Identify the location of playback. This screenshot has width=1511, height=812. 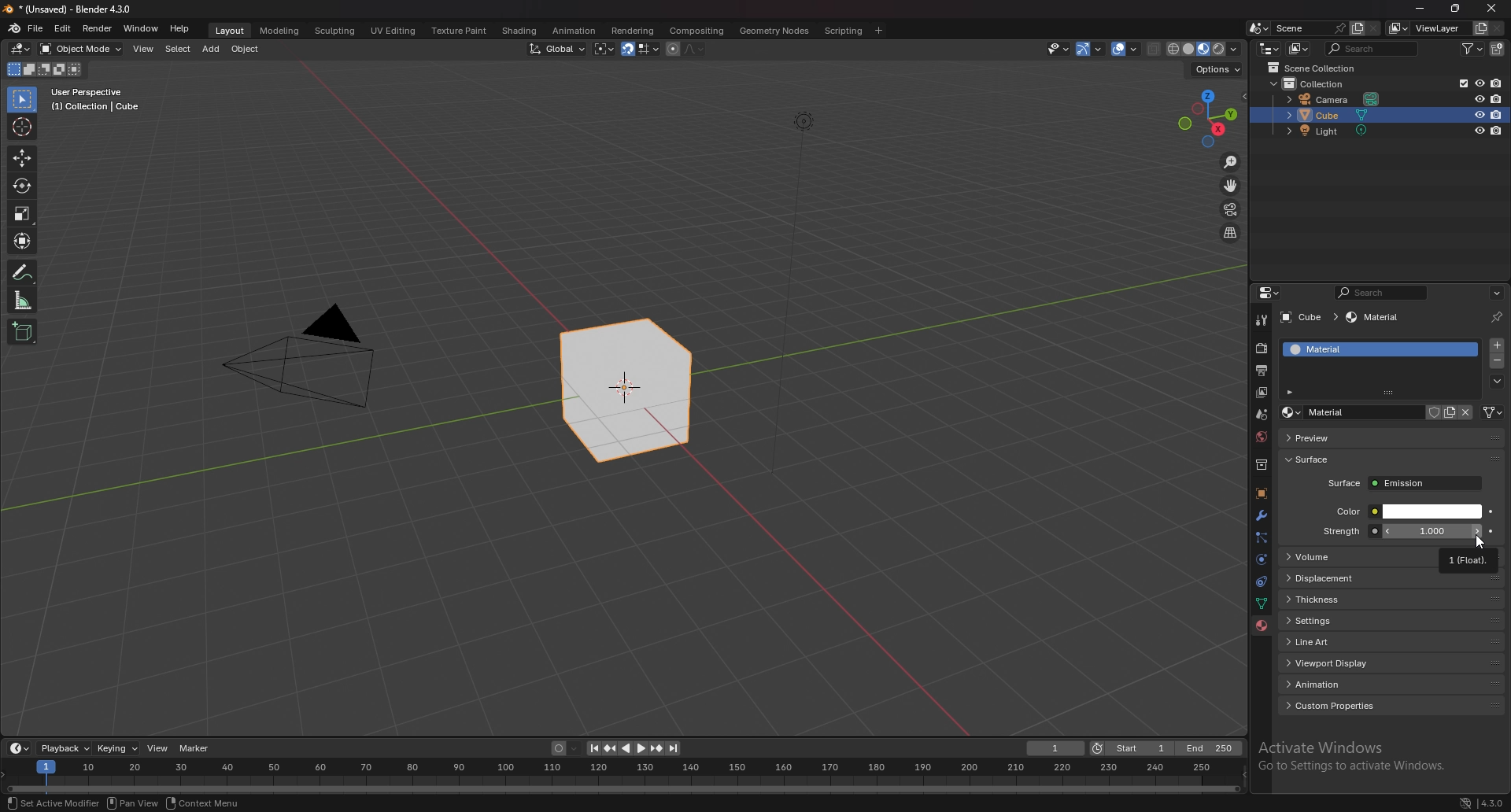
(66, 748).